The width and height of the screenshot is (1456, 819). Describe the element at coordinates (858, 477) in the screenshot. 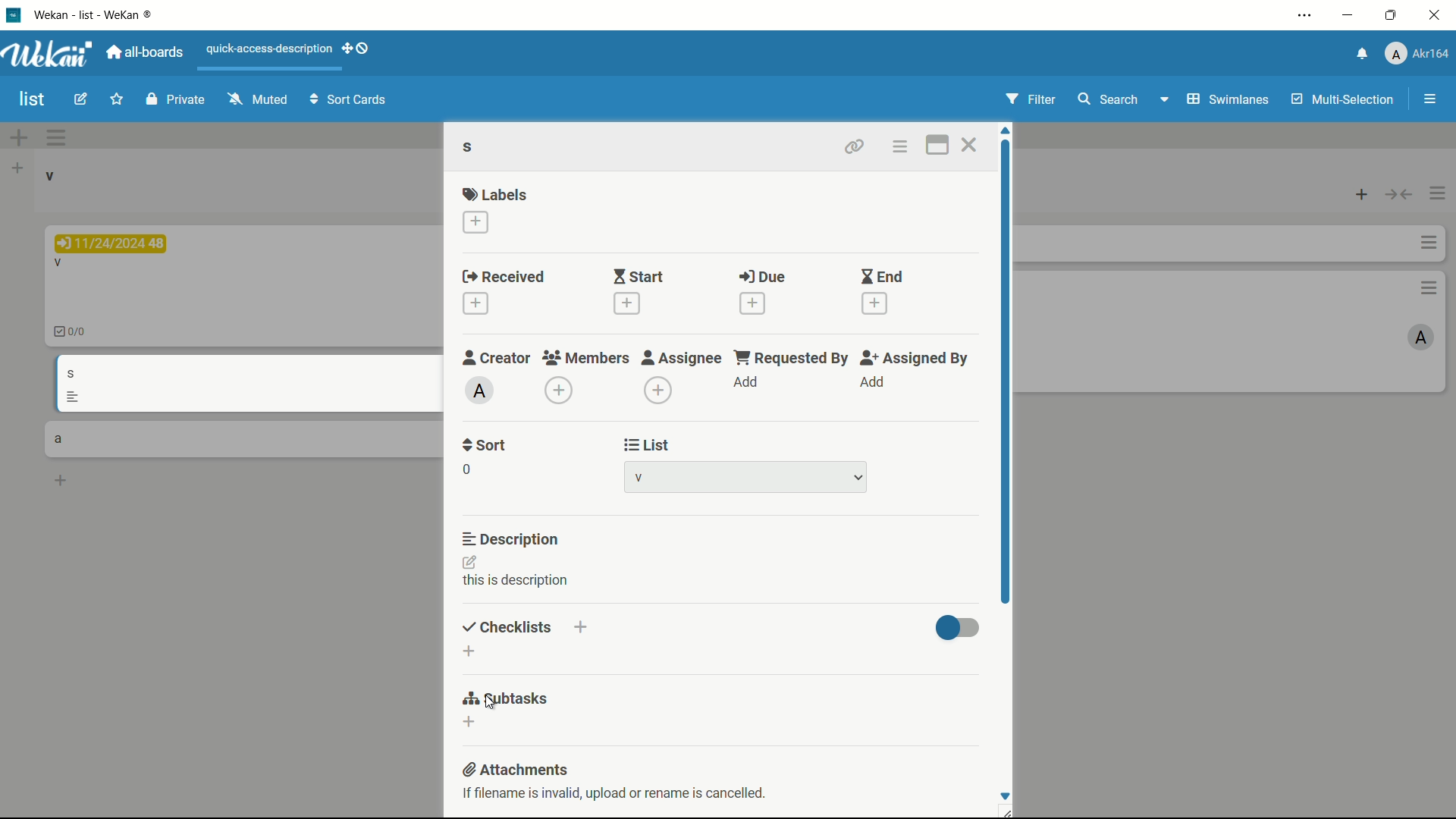

I see `dropdown` at that location.